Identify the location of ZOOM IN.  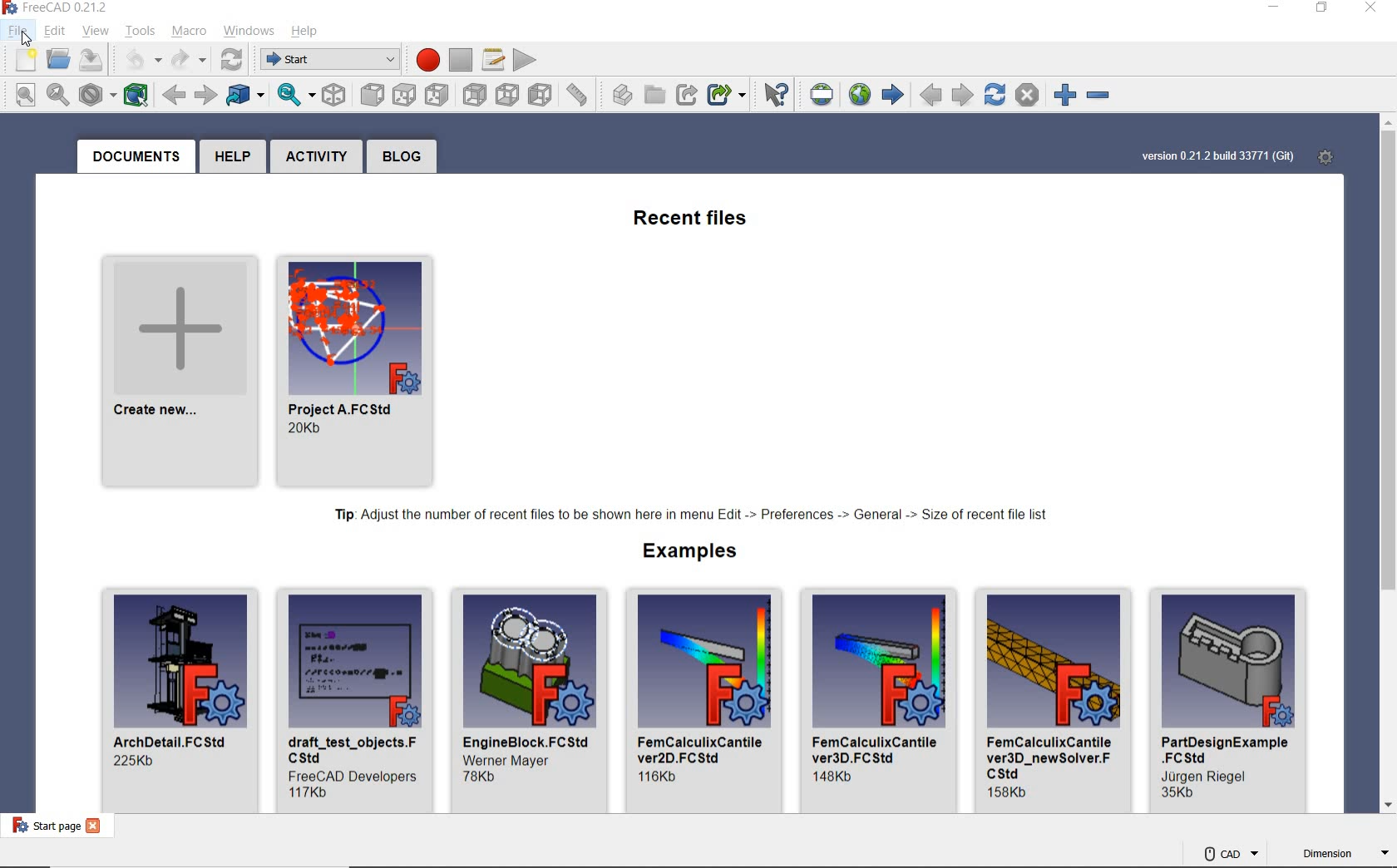
(1060, 94).